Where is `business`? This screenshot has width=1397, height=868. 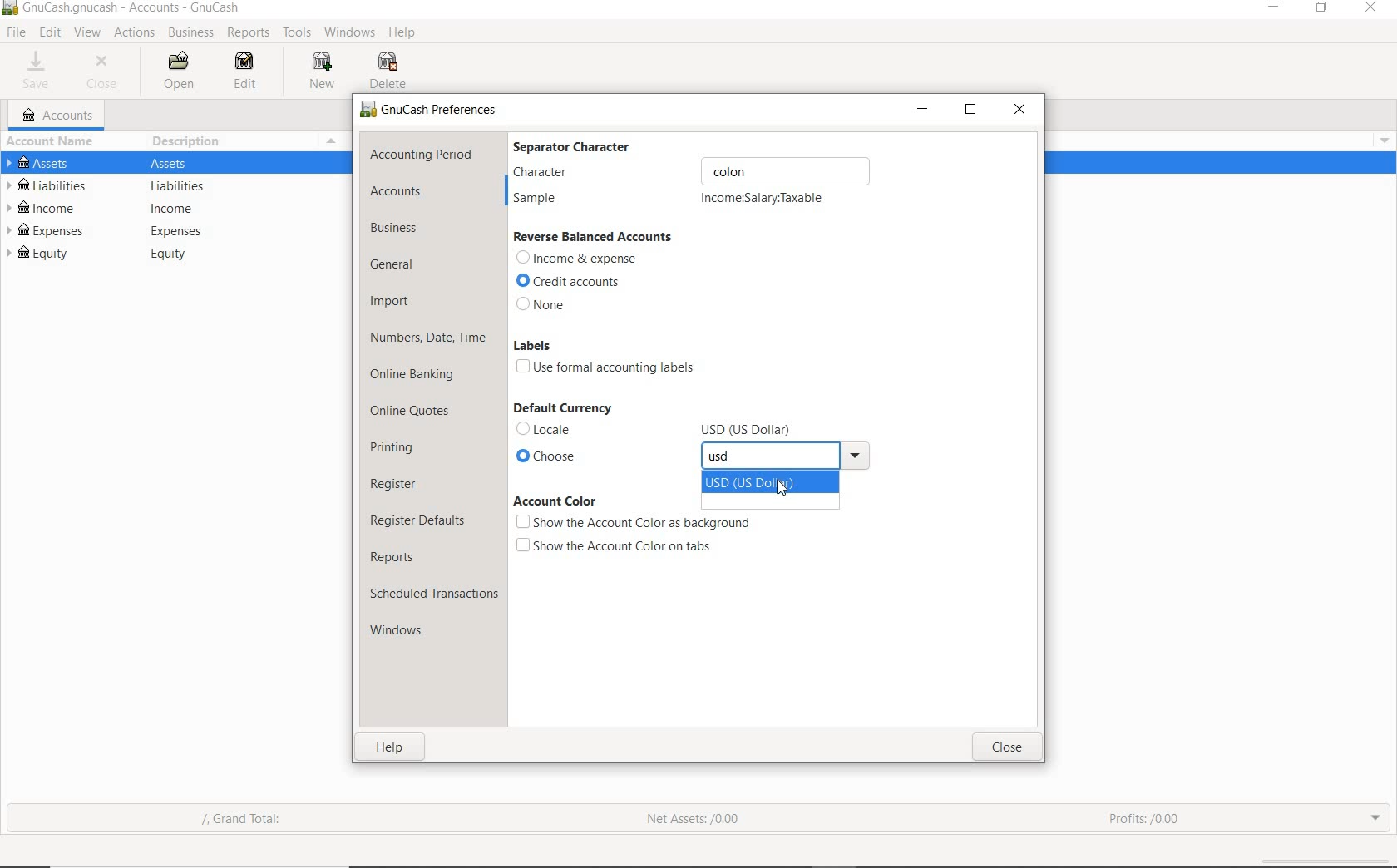
business is located at coordinates (398, 229).